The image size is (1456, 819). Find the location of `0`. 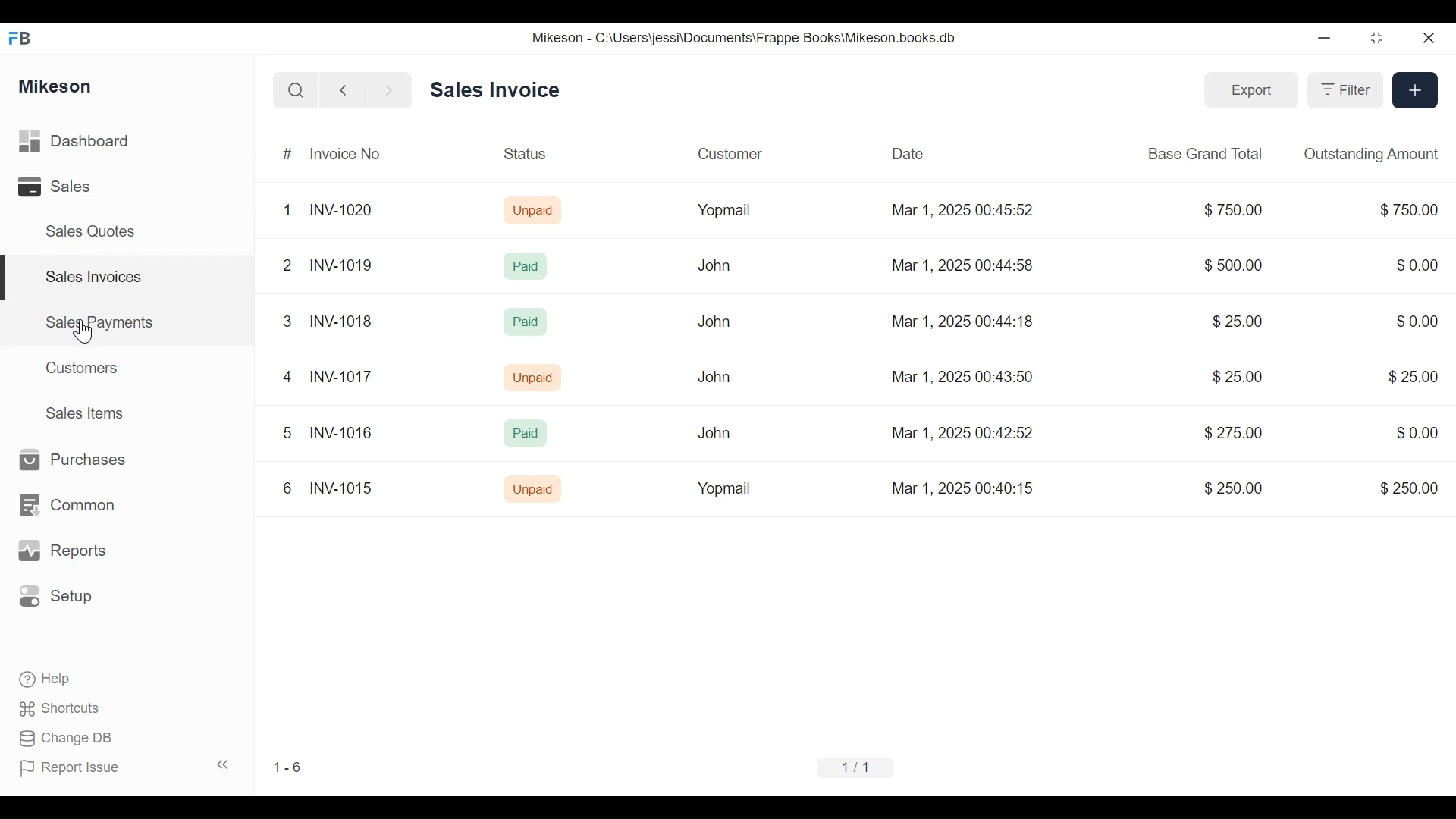

0 is located at coordinates (1415, 431).